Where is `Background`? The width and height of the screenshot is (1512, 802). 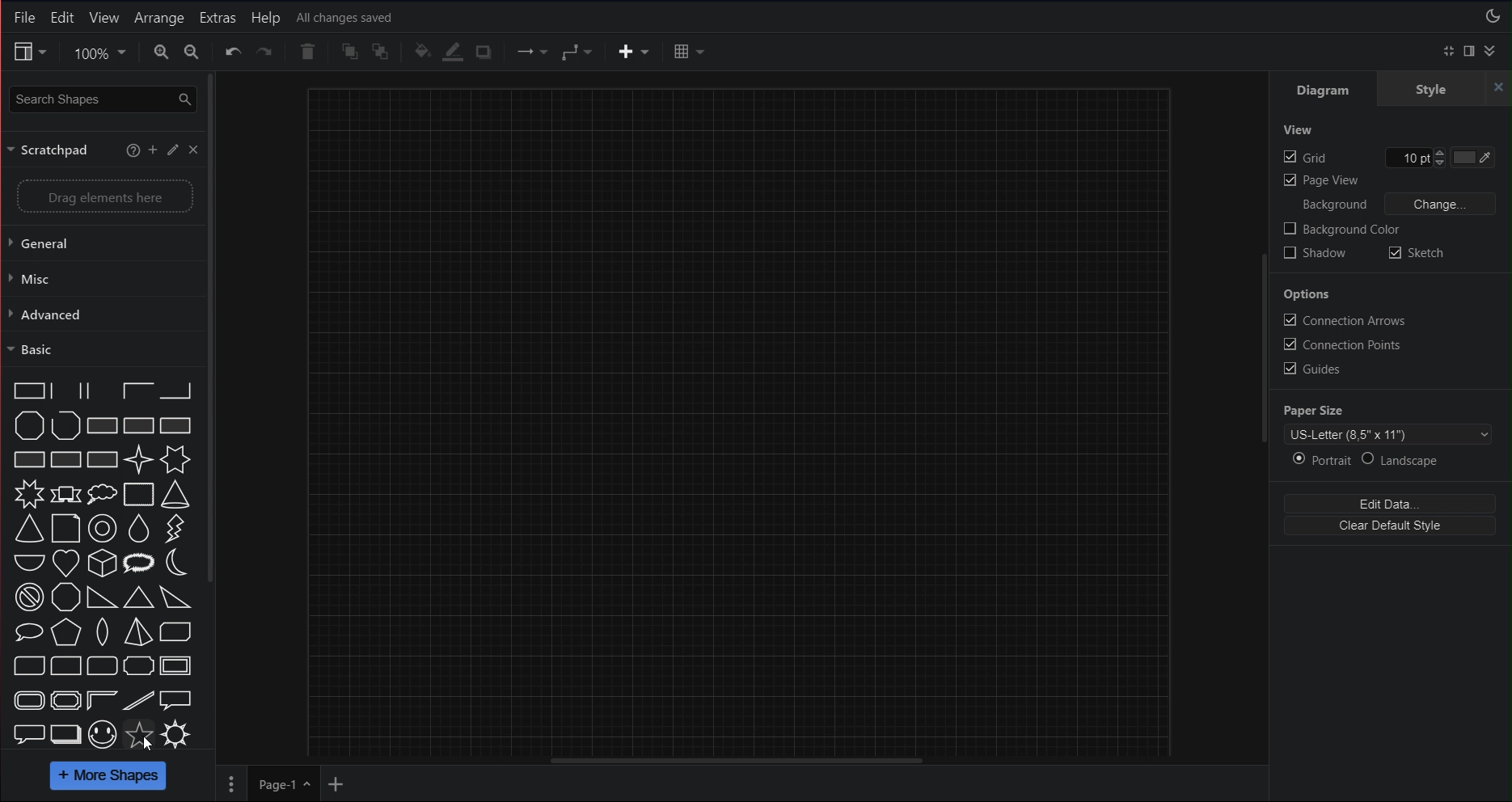
Background is located at coordinates (1328, 205).